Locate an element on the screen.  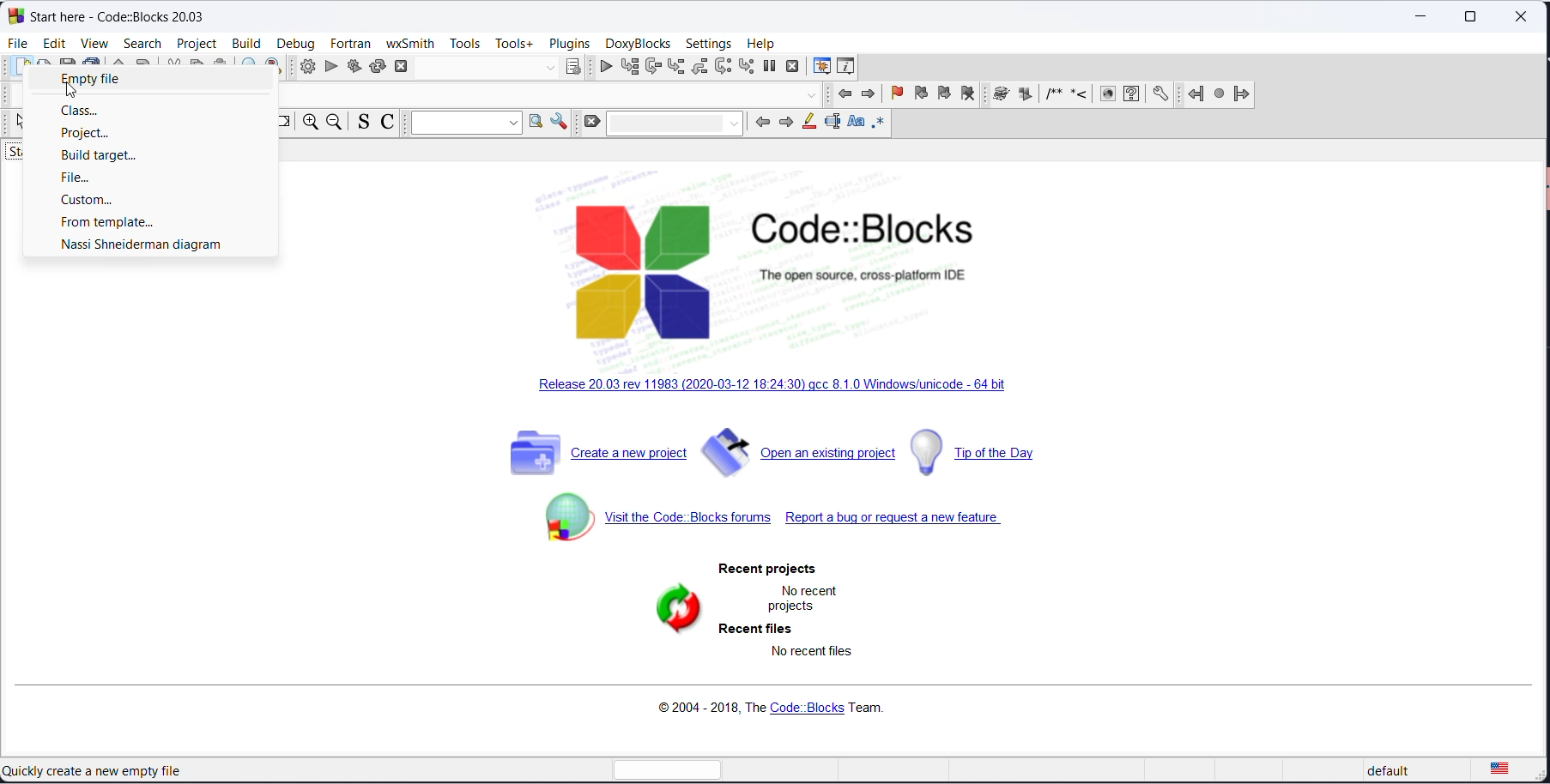
jump back is located at coordinates (1193, 96).